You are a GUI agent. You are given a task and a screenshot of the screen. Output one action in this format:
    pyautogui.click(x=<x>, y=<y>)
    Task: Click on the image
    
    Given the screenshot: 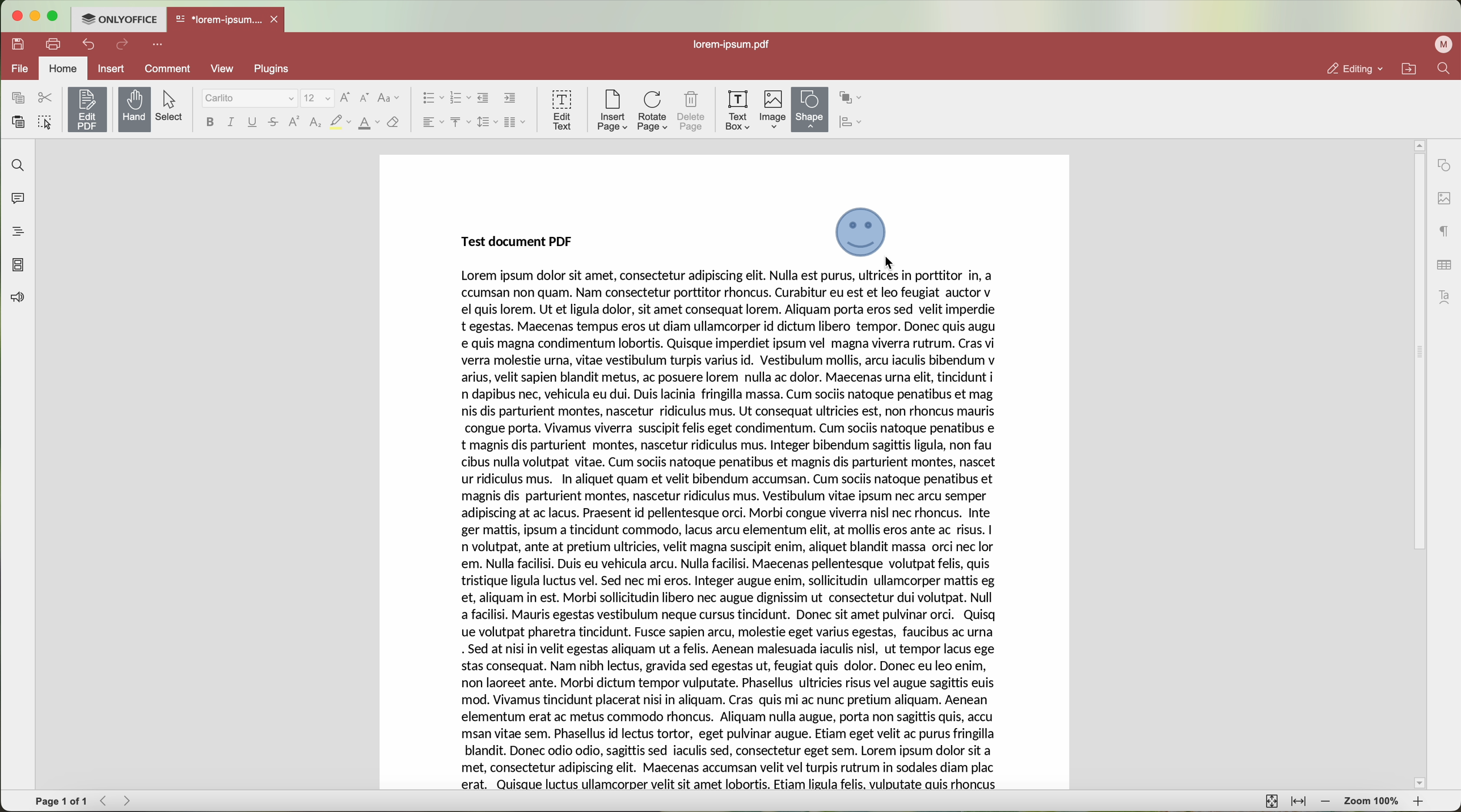 What is the action you would take?
    pyautogui.click(x=773, y=110)
    